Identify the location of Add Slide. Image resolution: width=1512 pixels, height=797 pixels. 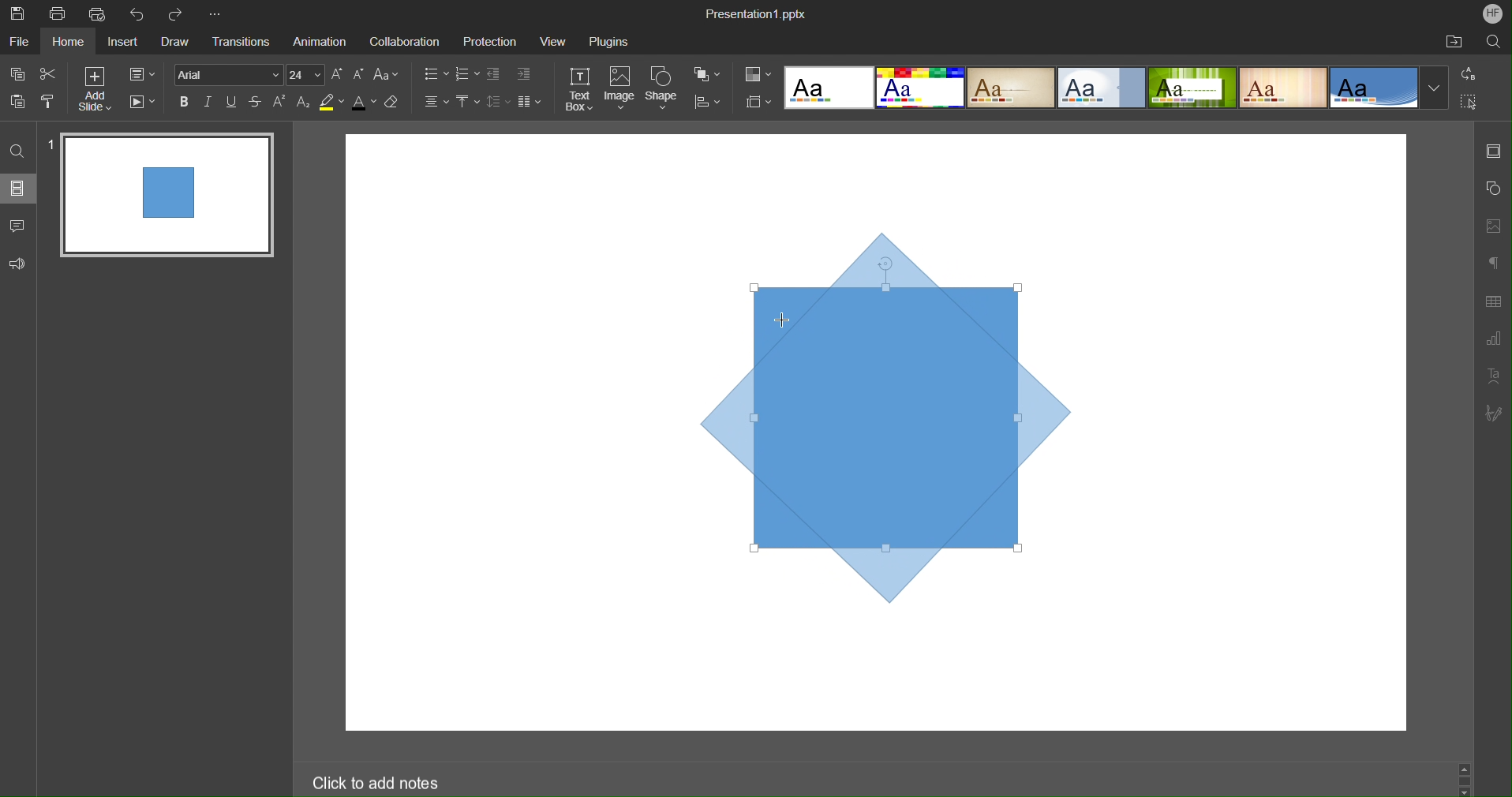
(93, 89).